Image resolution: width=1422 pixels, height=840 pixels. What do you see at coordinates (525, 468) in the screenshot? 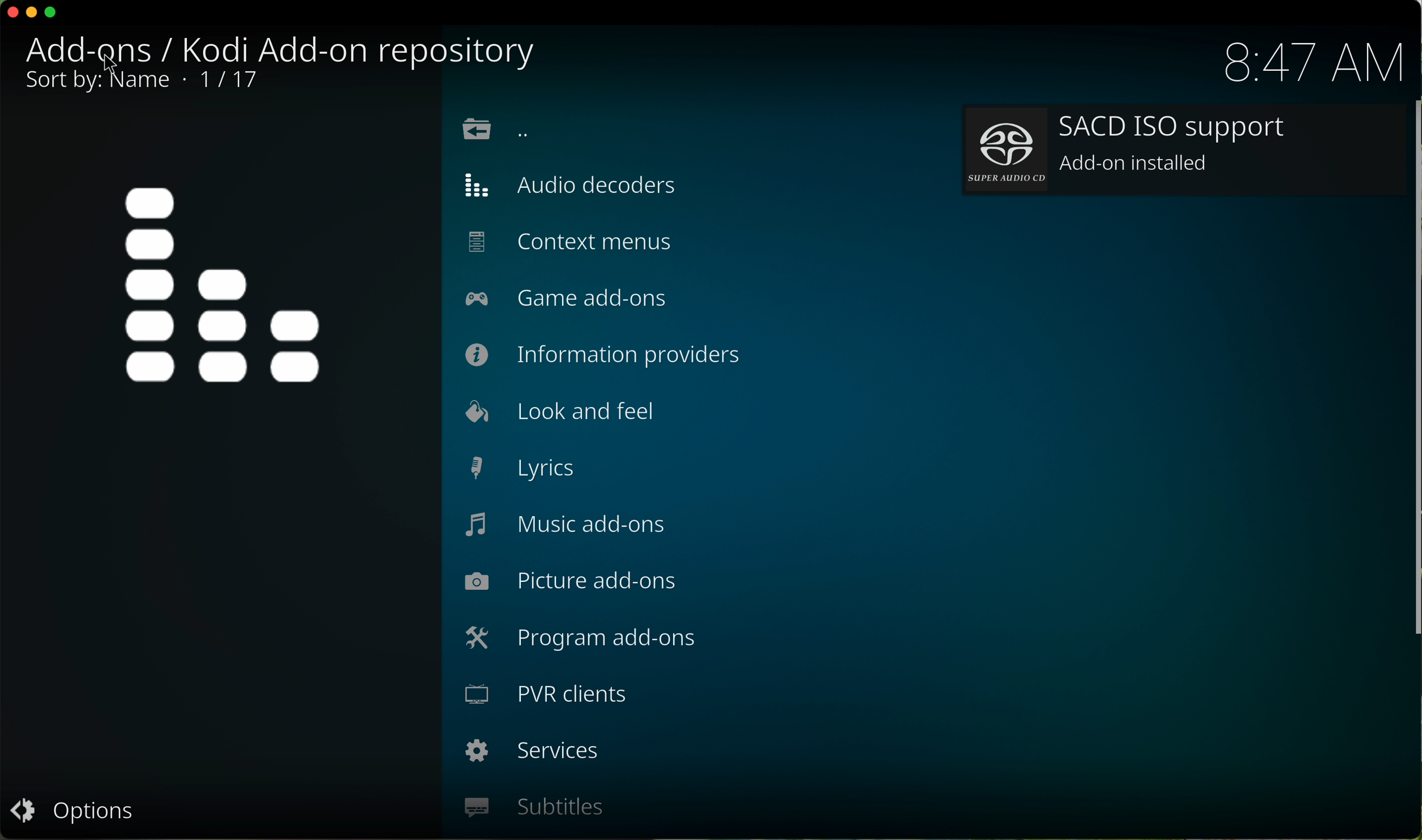
I see `lyrics` at bounding box center [525, 468].